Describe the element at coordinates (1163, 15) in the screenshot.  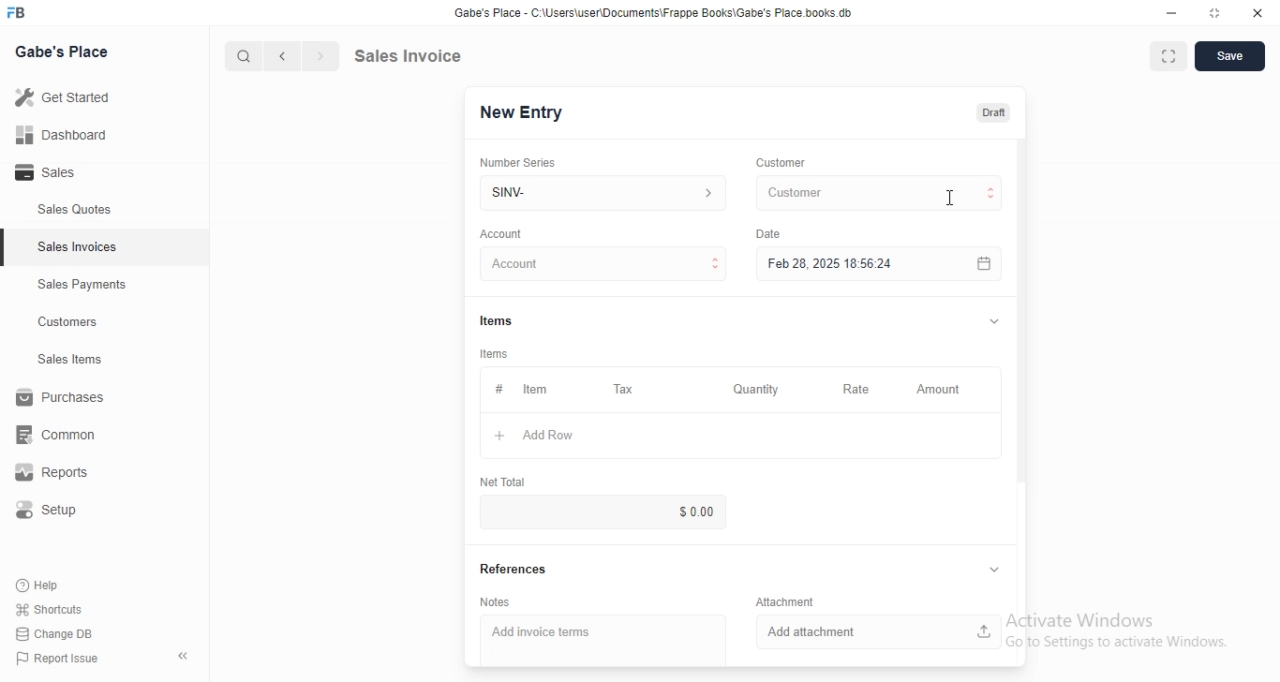
I see `minimize` at that location.